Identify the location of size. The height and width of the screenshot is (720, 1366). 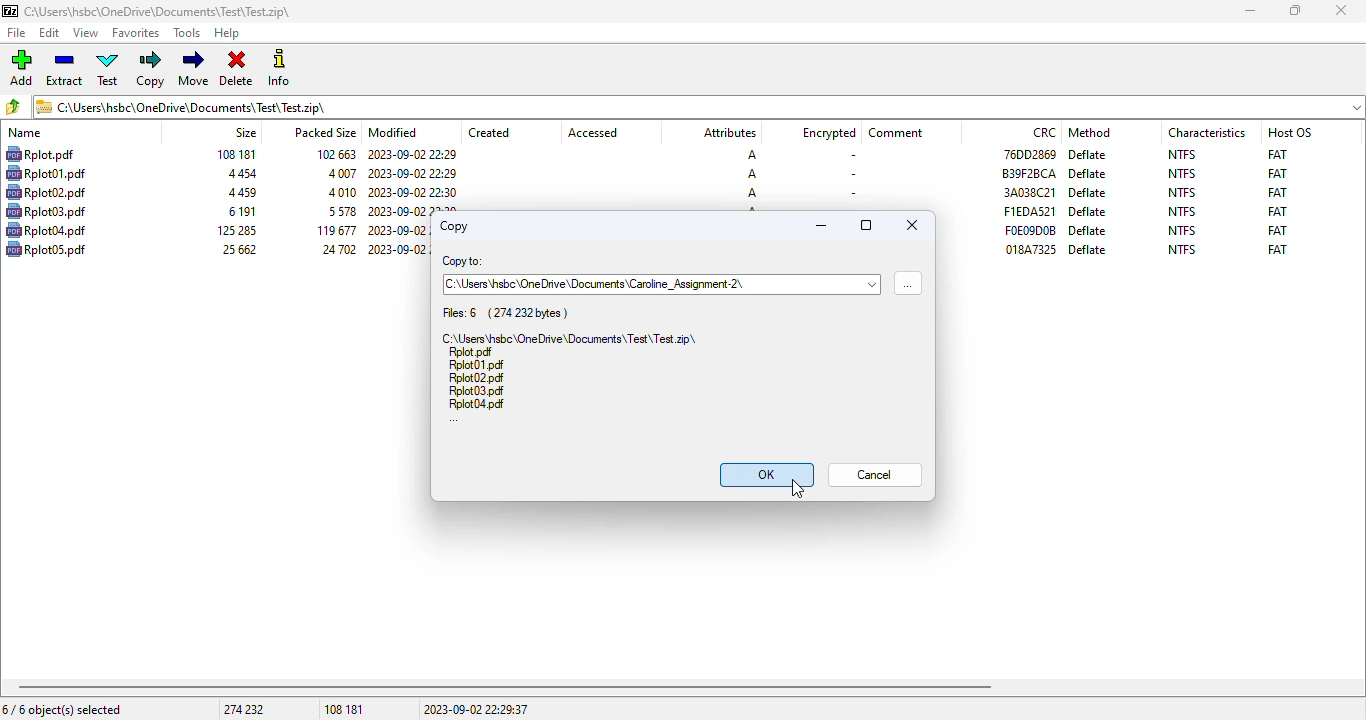
(240, 193).